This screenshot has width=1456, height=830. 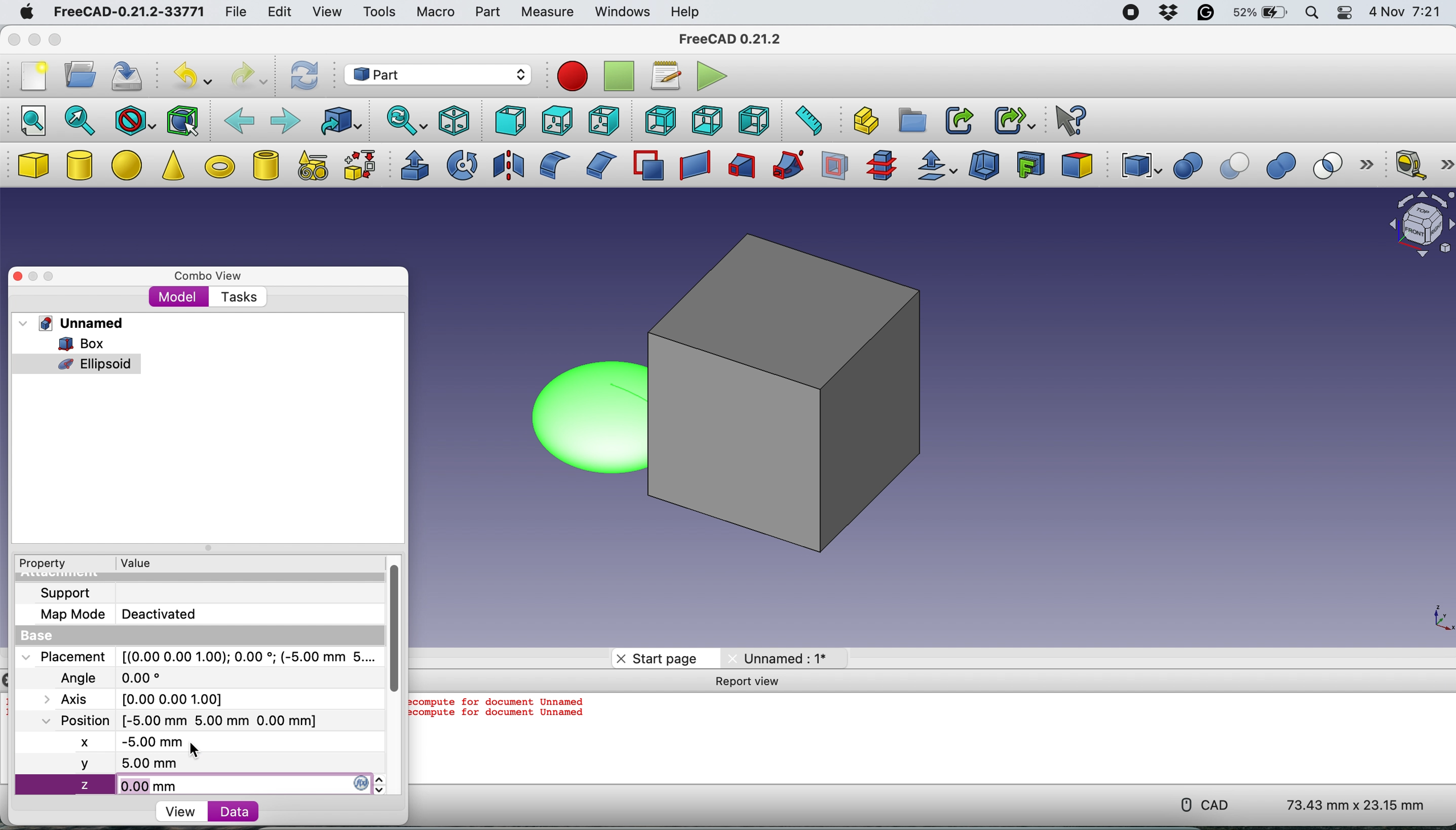 I want to click on torus, so click(x=219, y=166).